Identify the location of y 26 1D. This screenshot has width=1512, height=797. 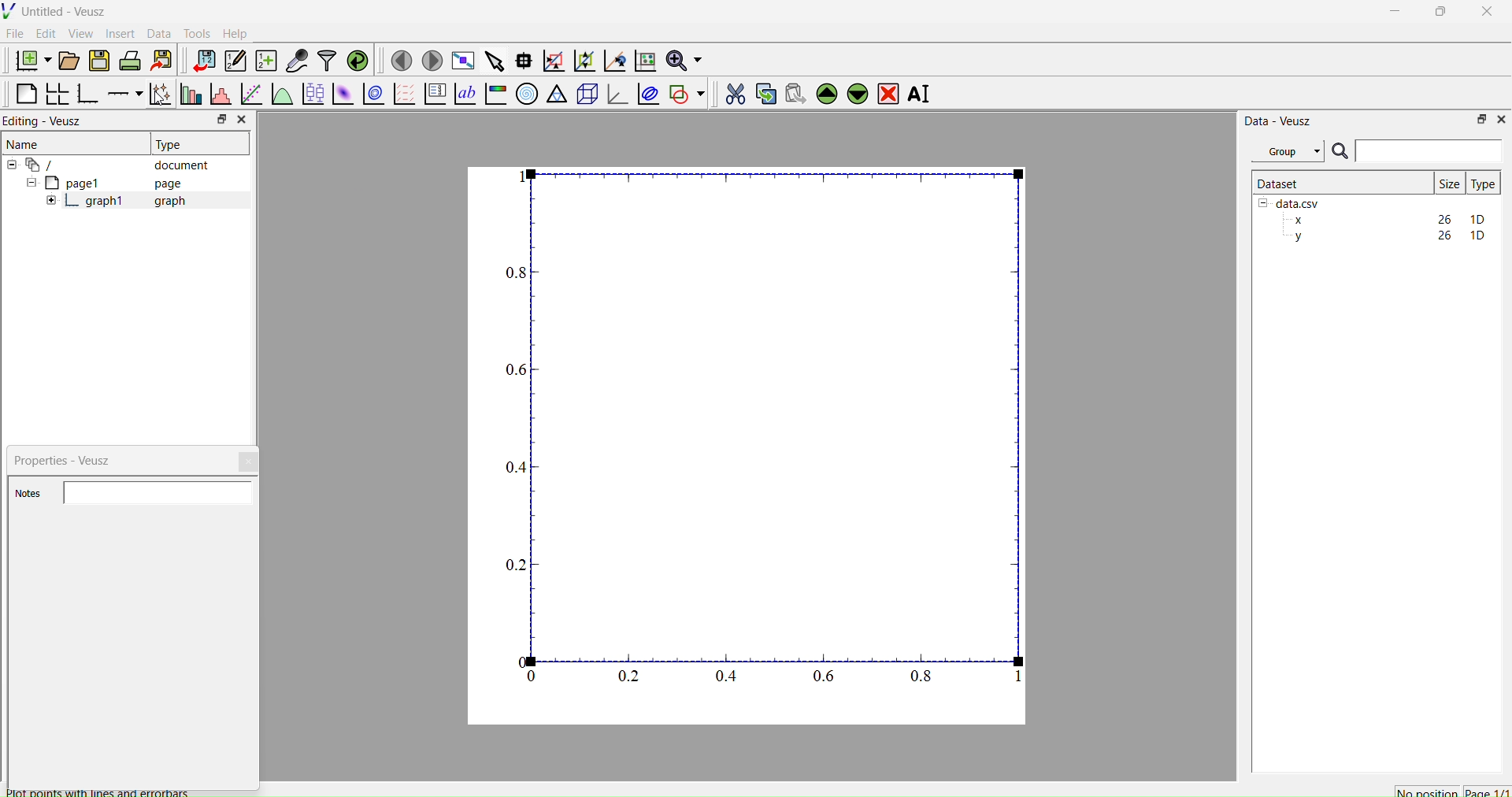
(1385, 235).